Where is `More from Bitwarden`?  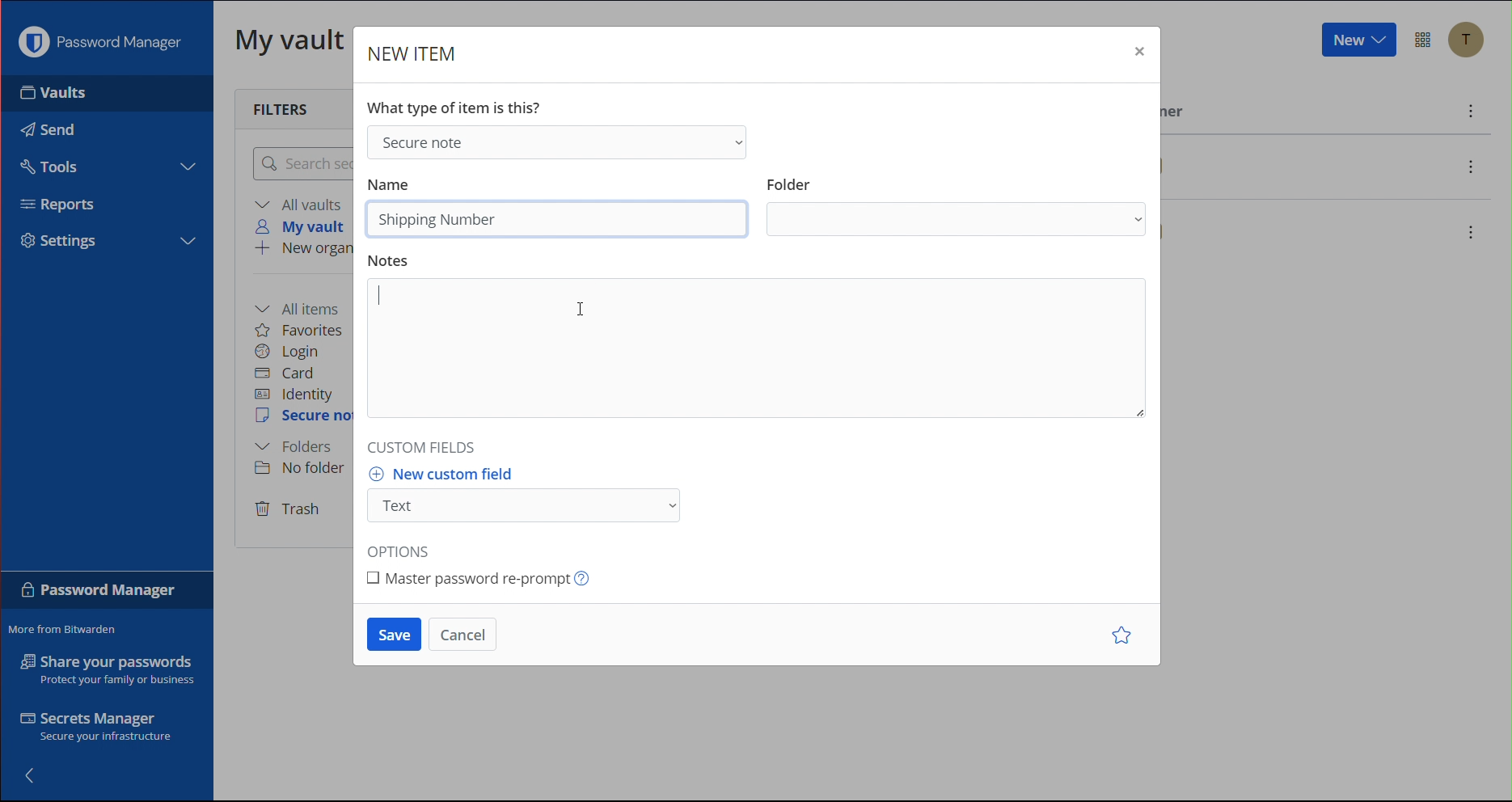 More from Bitwarden is located at coordinates (62, 629).